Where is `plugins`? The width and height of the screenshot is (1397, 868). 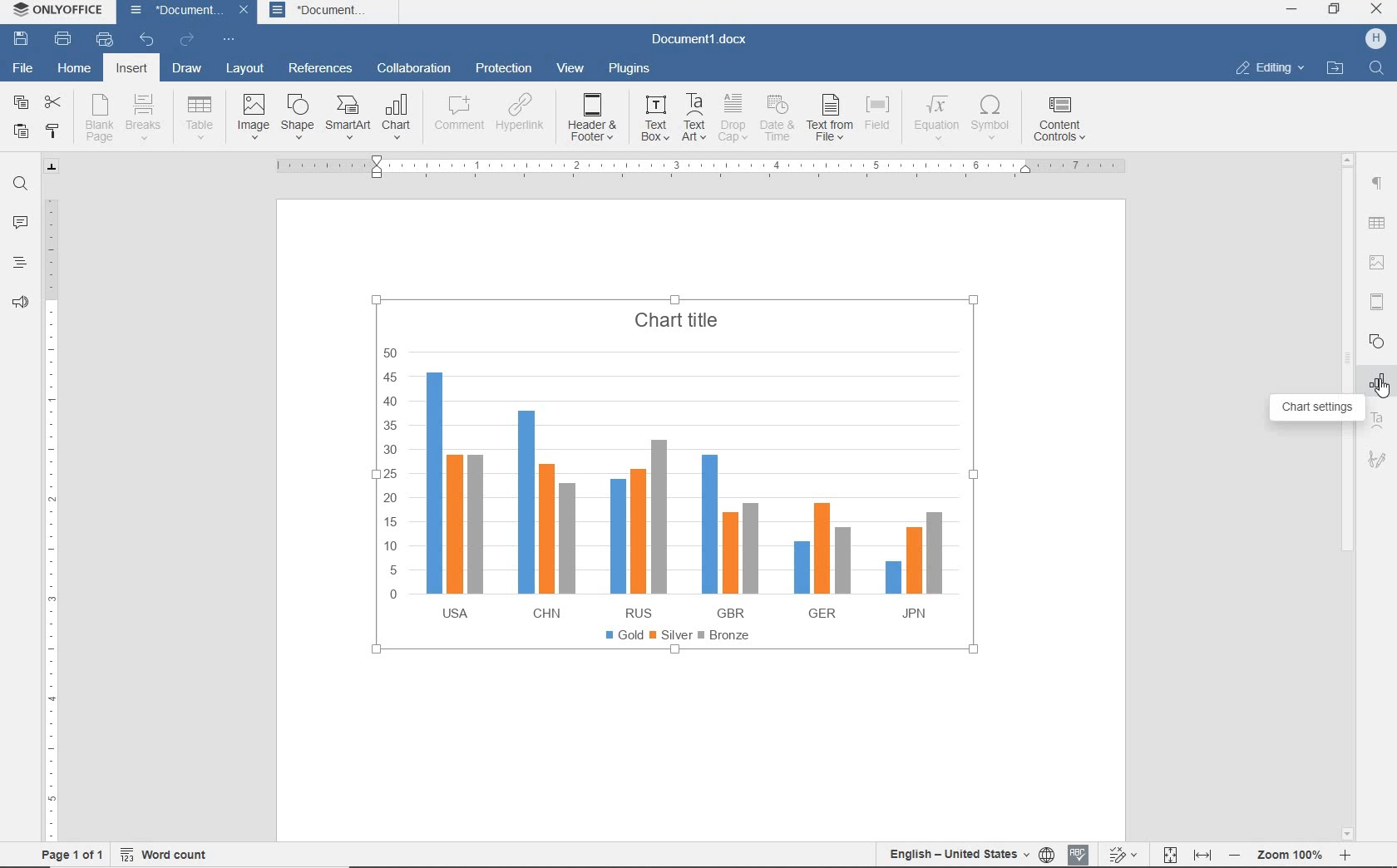
plugins is located at coordinates (629, 69).